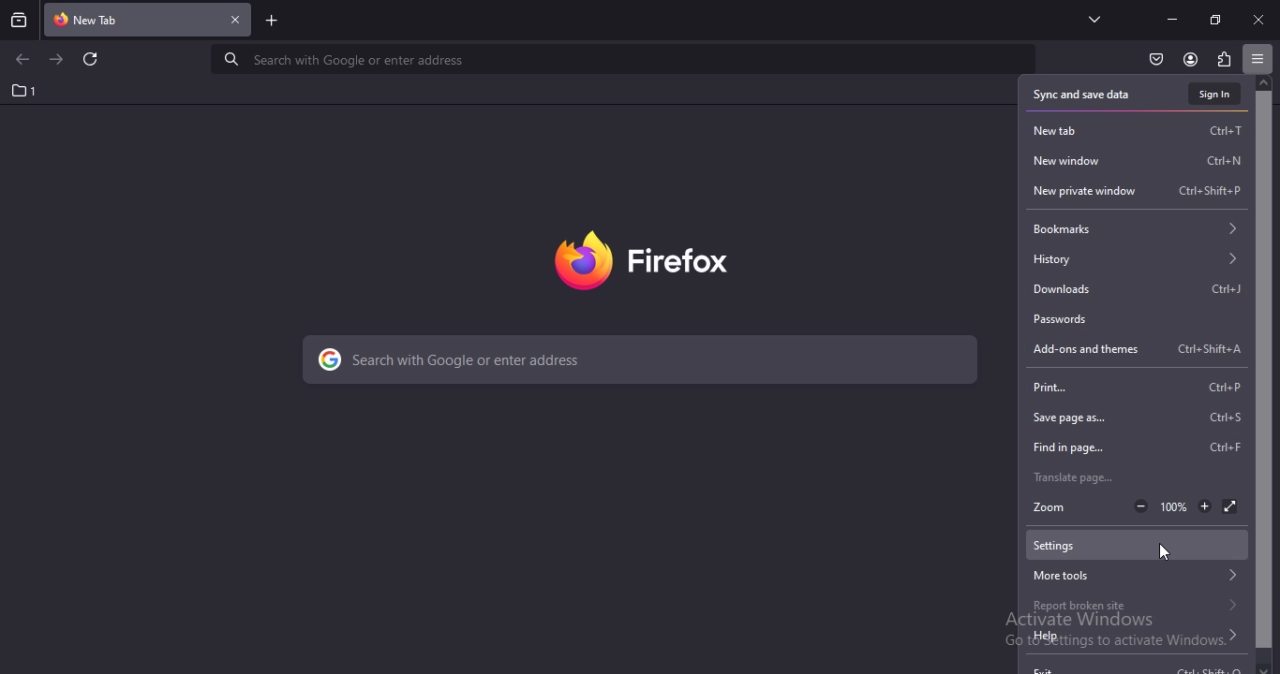  What do you see at coordinates (1054, 507) in the screenshot?
I see `zoom` at bounding box center [1054, 507].